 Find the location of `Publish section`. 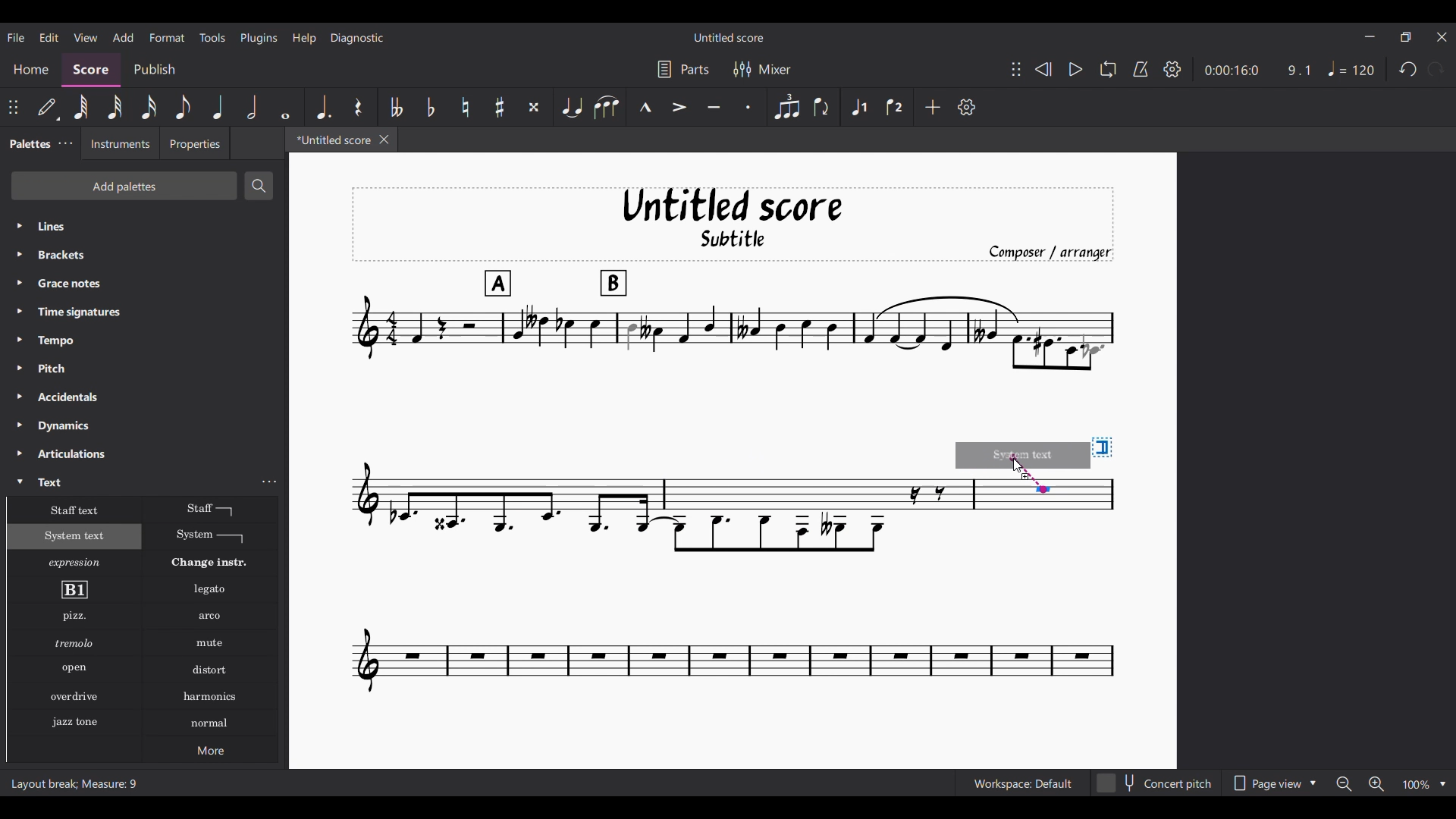

Publish section is located at coordinates (154, 70).